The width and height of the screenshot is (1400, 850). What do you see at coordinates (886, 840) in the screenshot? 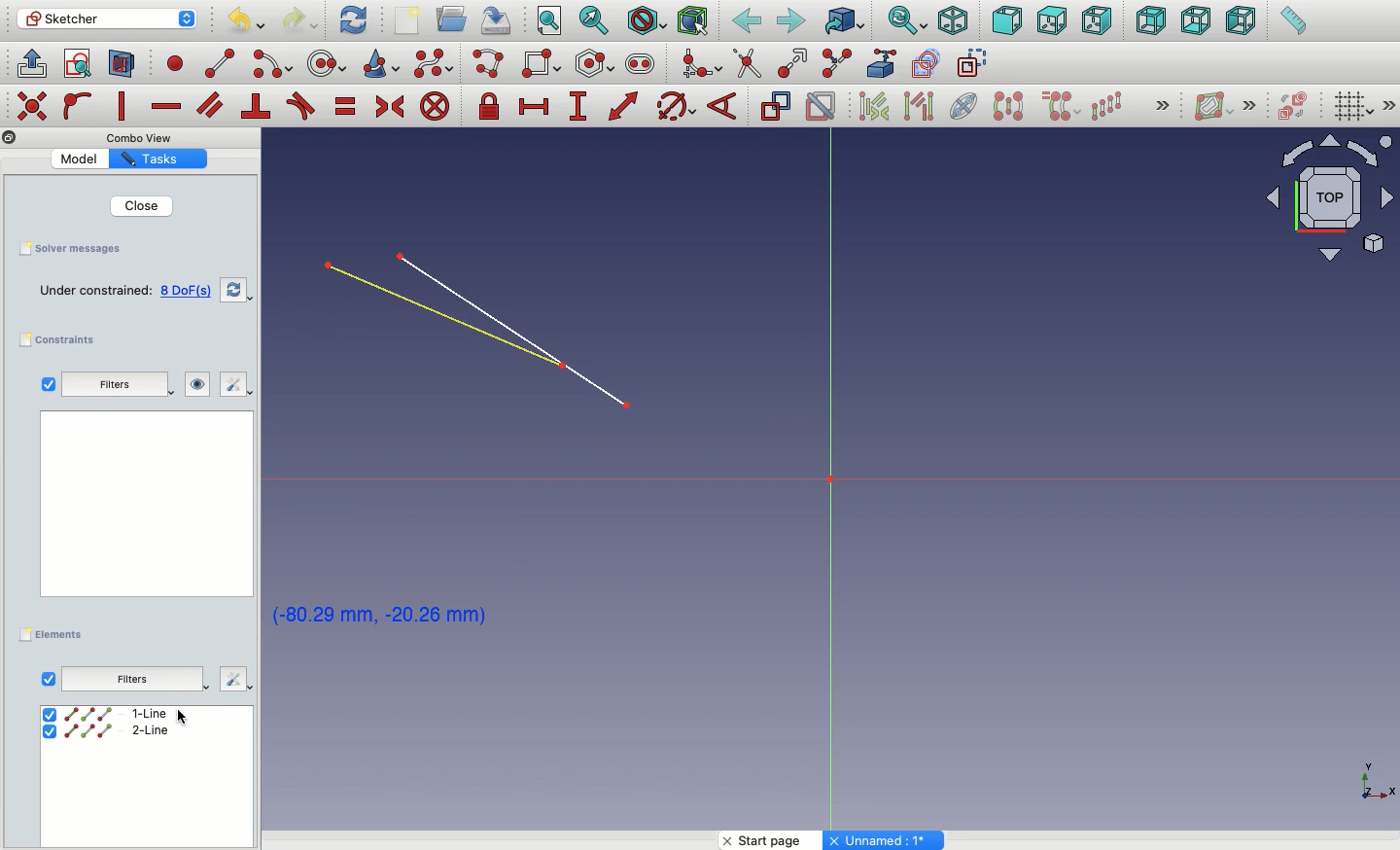
I see `` at bounding box center [886, 840].